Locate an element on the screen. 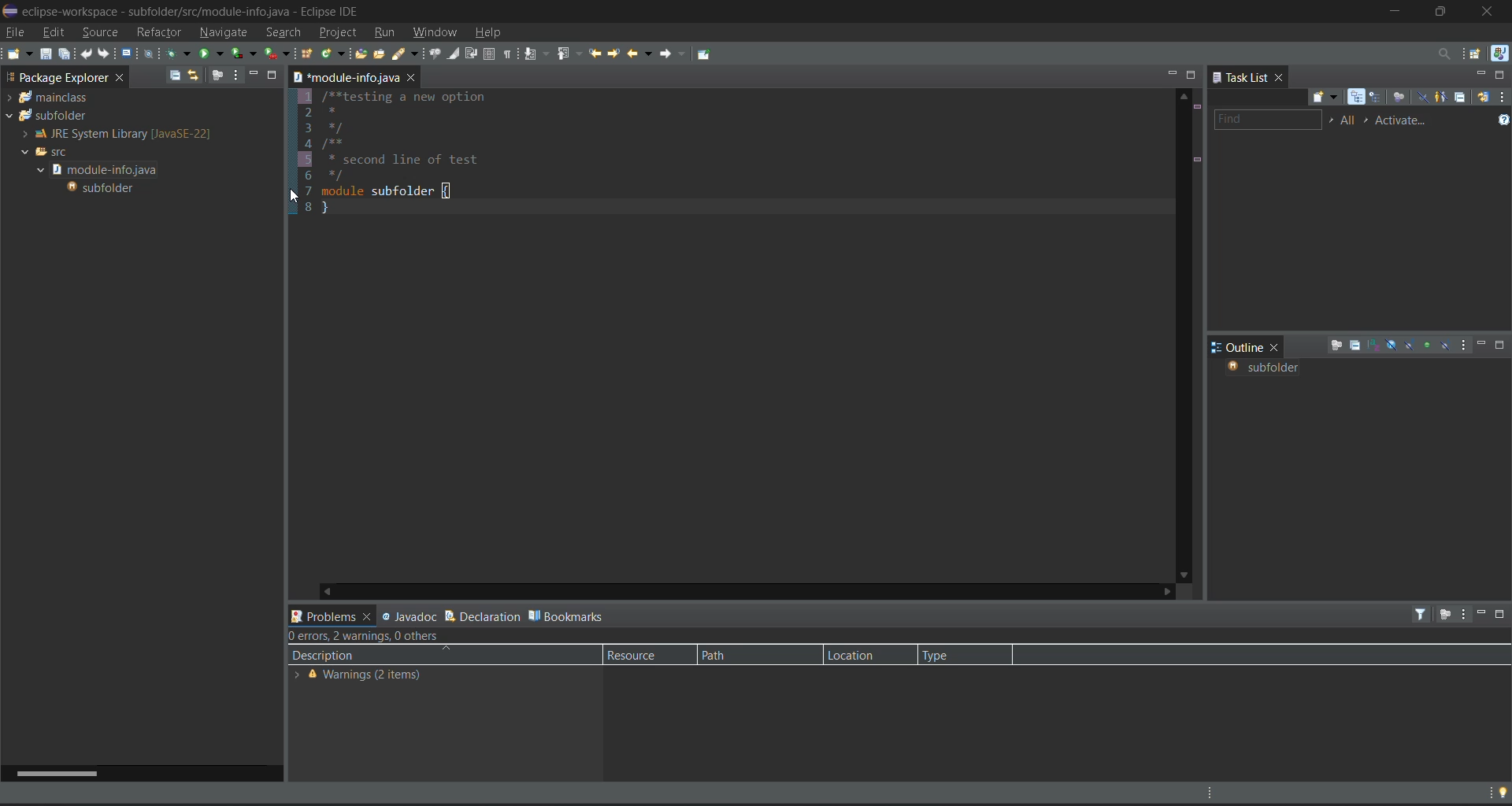 The height and width of the screenshot is (806, 1512). navigate is located at coordinates (226, 31).